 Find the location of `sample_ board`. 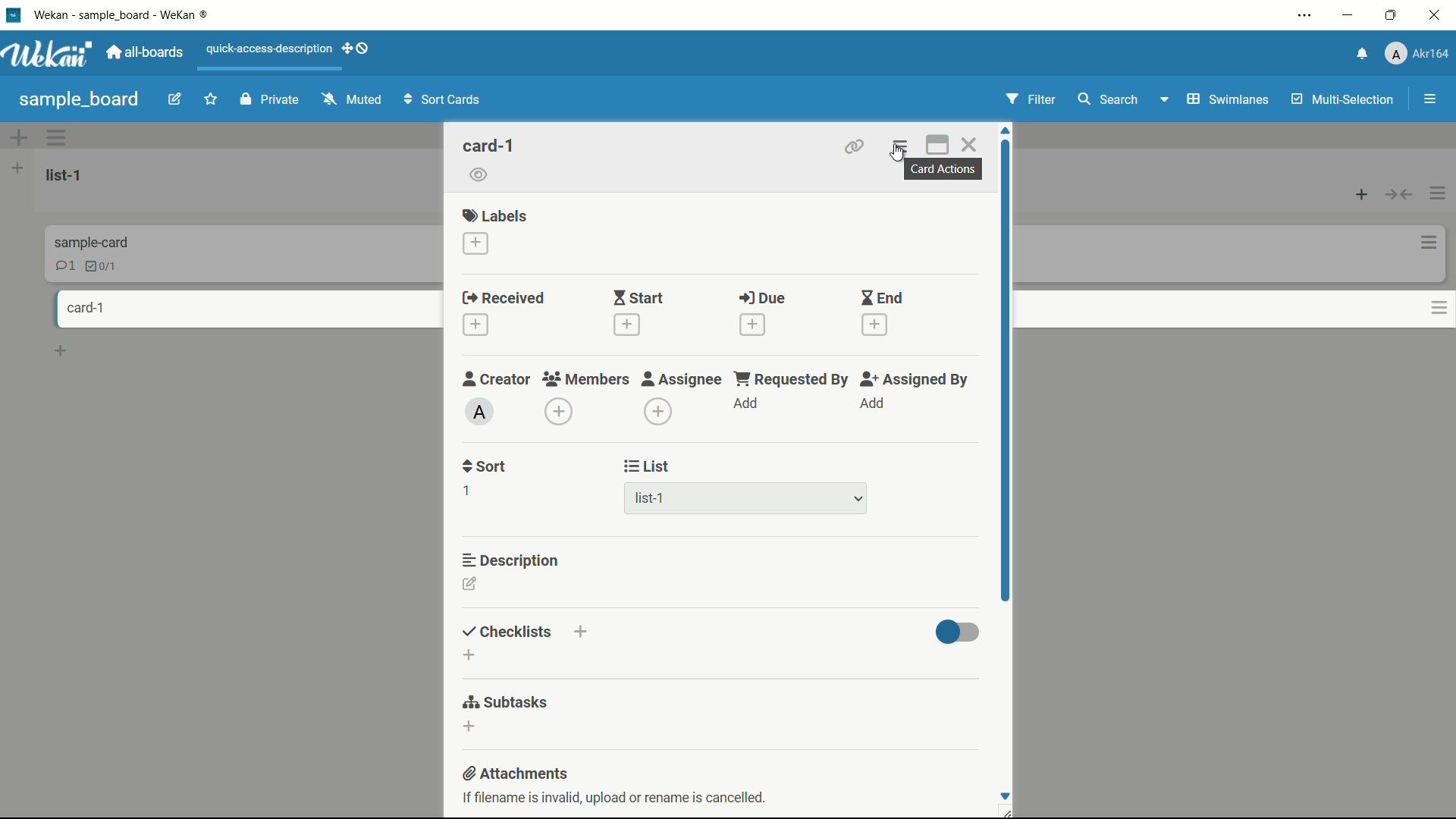

sample_ board is located at coordinates (80, 99).